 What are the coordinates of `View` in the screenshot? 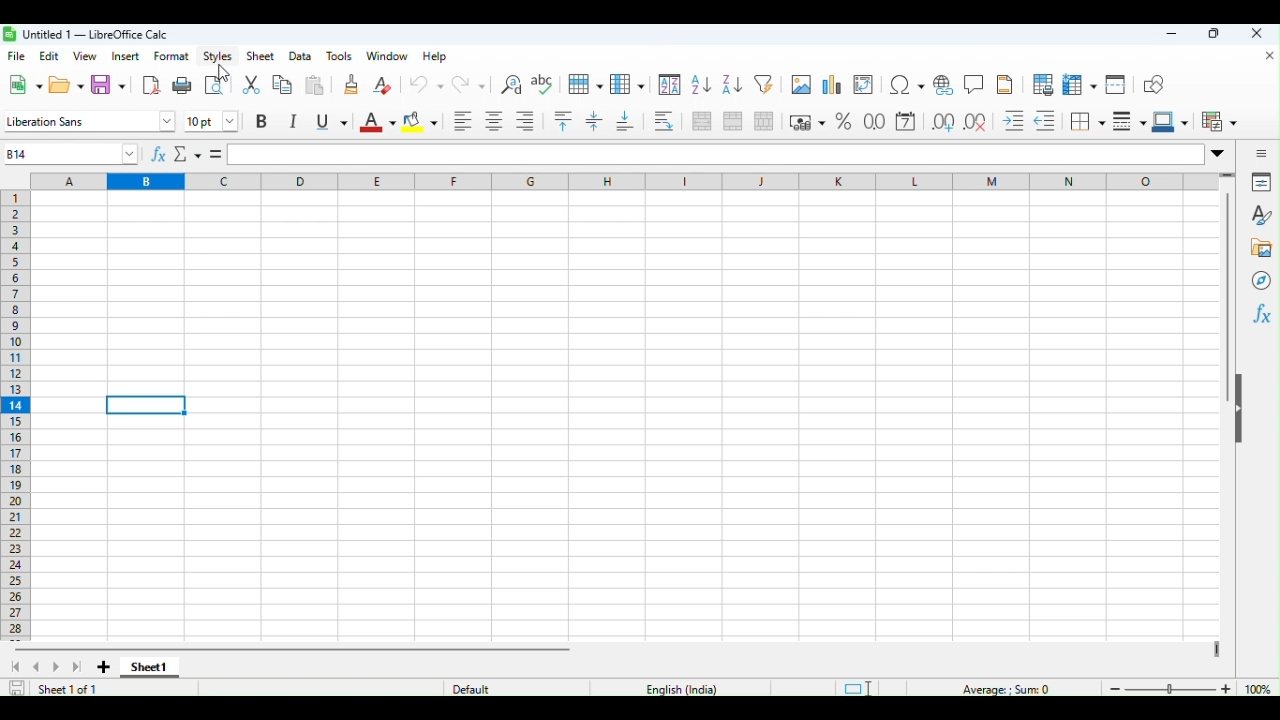 It's located at (86, 54).